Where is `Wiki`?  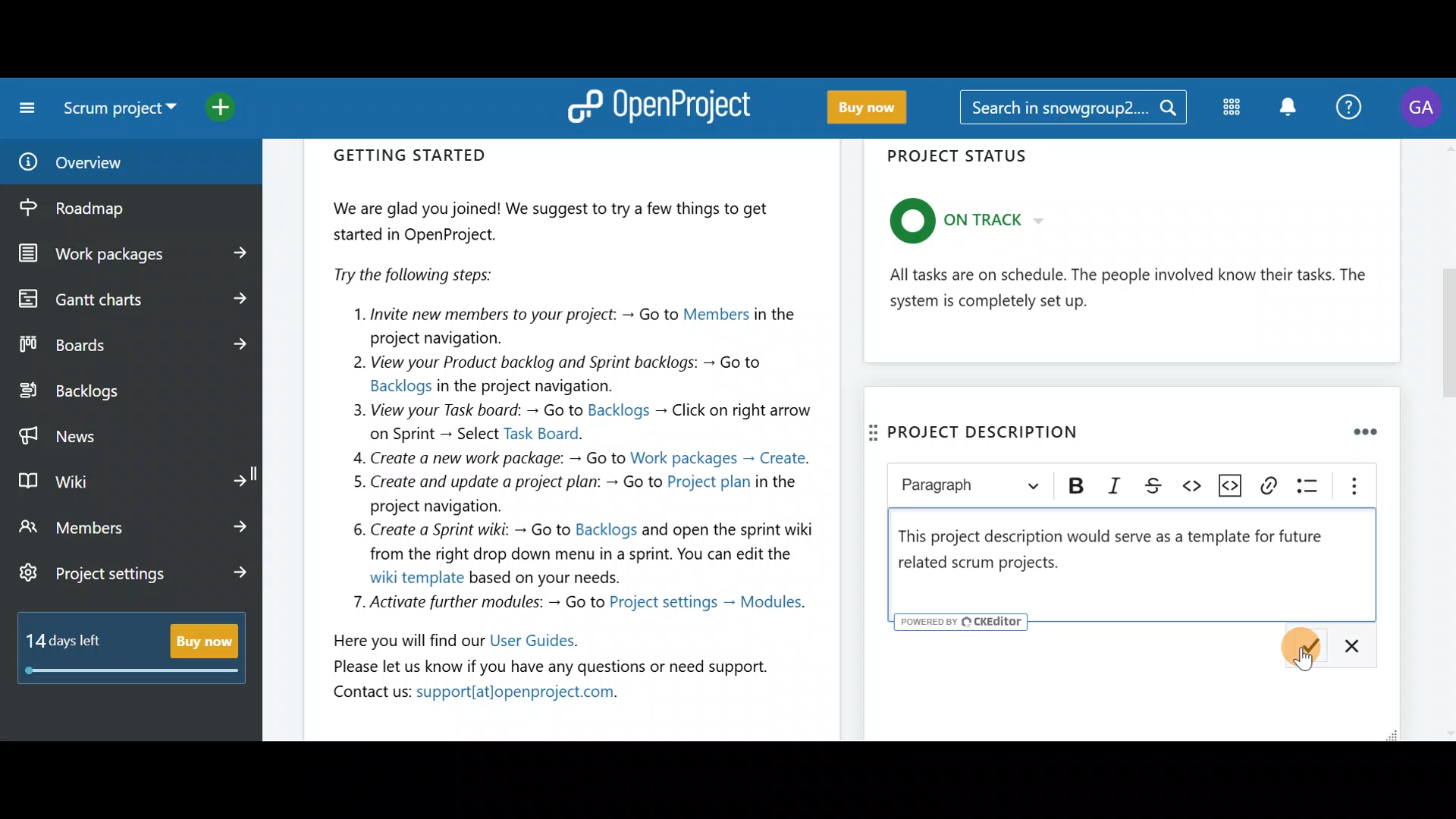 Wiki is located at coordinates (131, 478).